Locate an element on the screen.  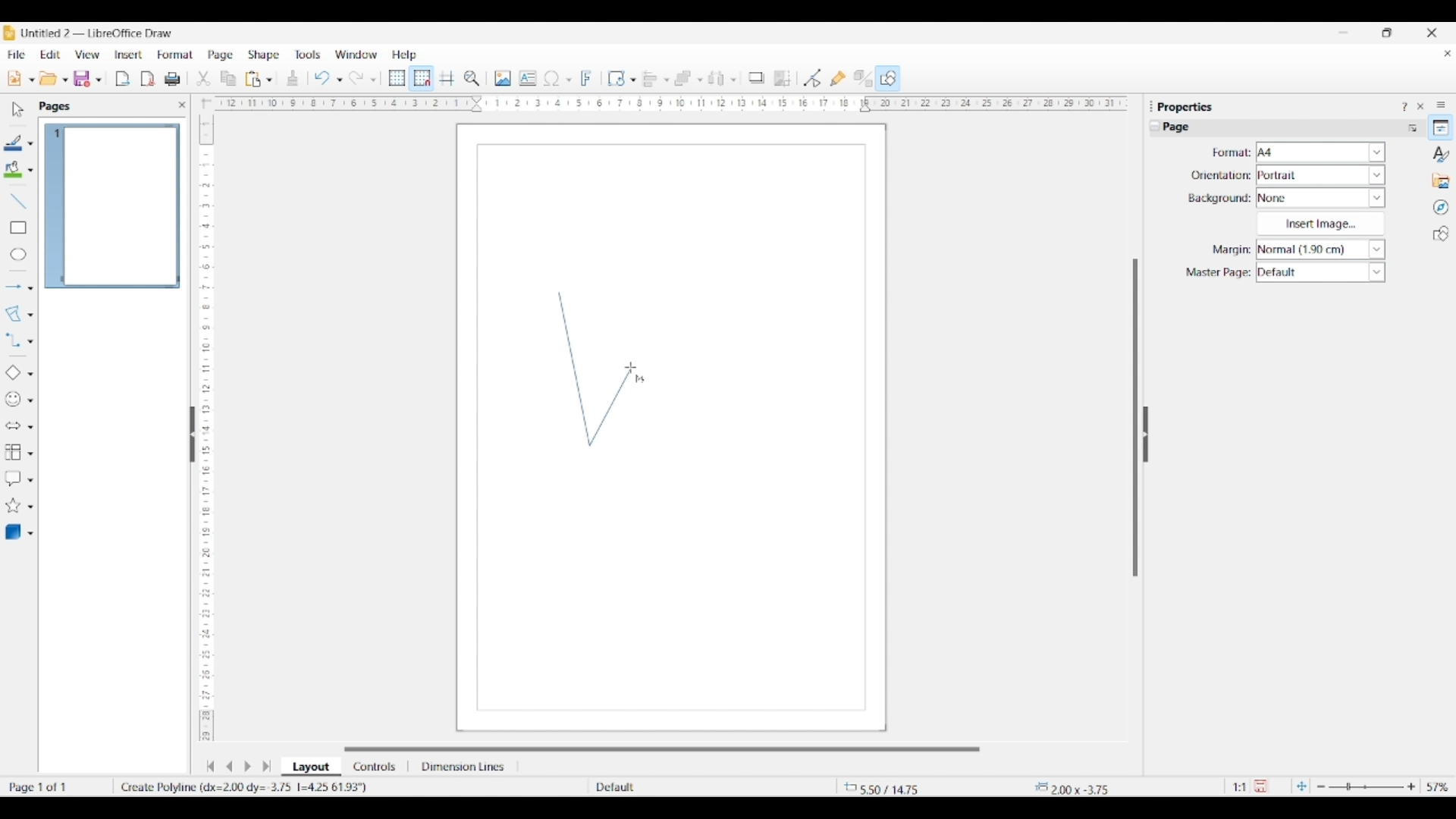
Jump to first slide is located at coordinates (210, 766).